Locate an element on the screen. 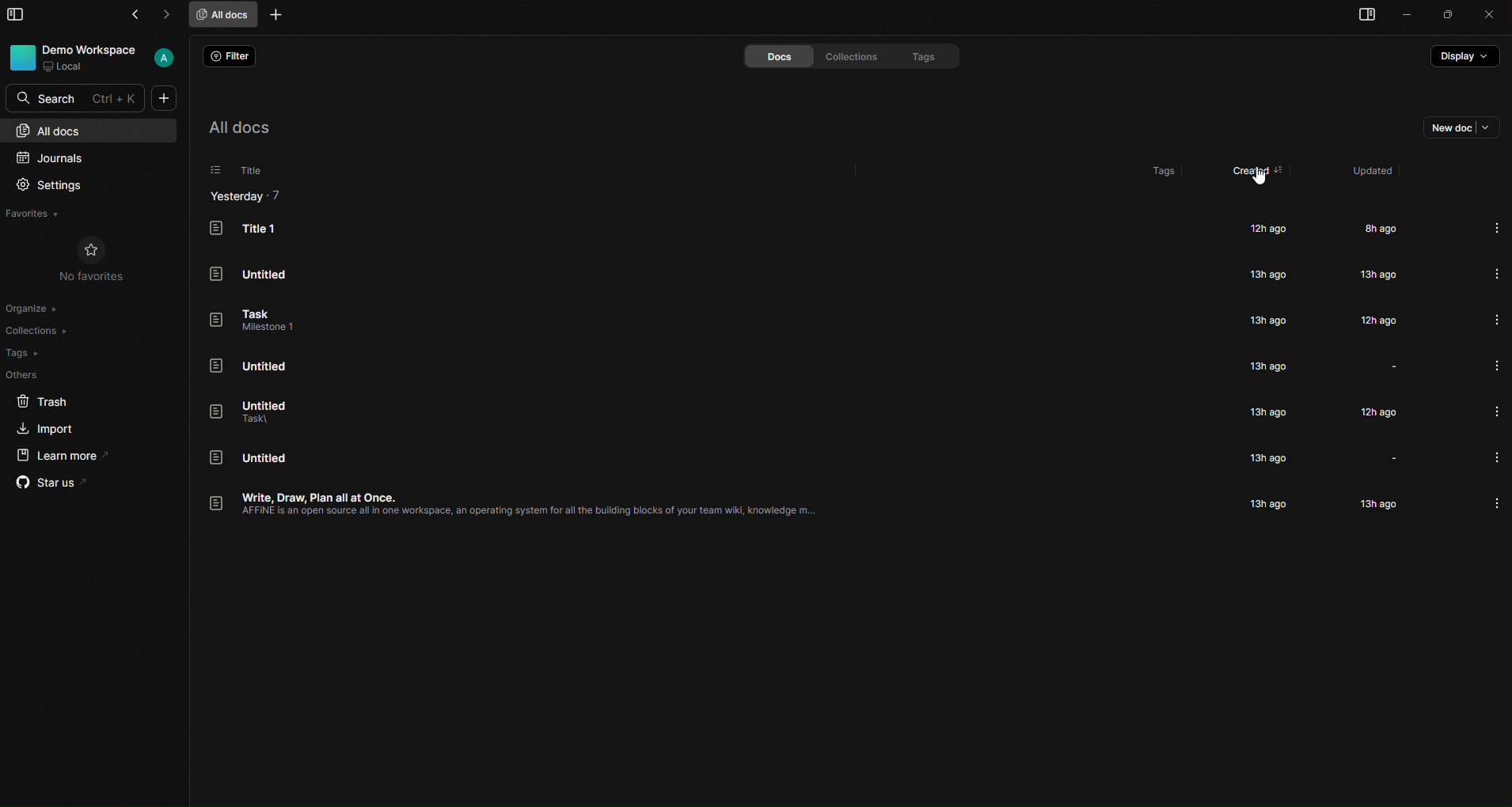 The height and width of the screenshot is (807, 1512). 13h ago is located at coordinates (1377, 274).